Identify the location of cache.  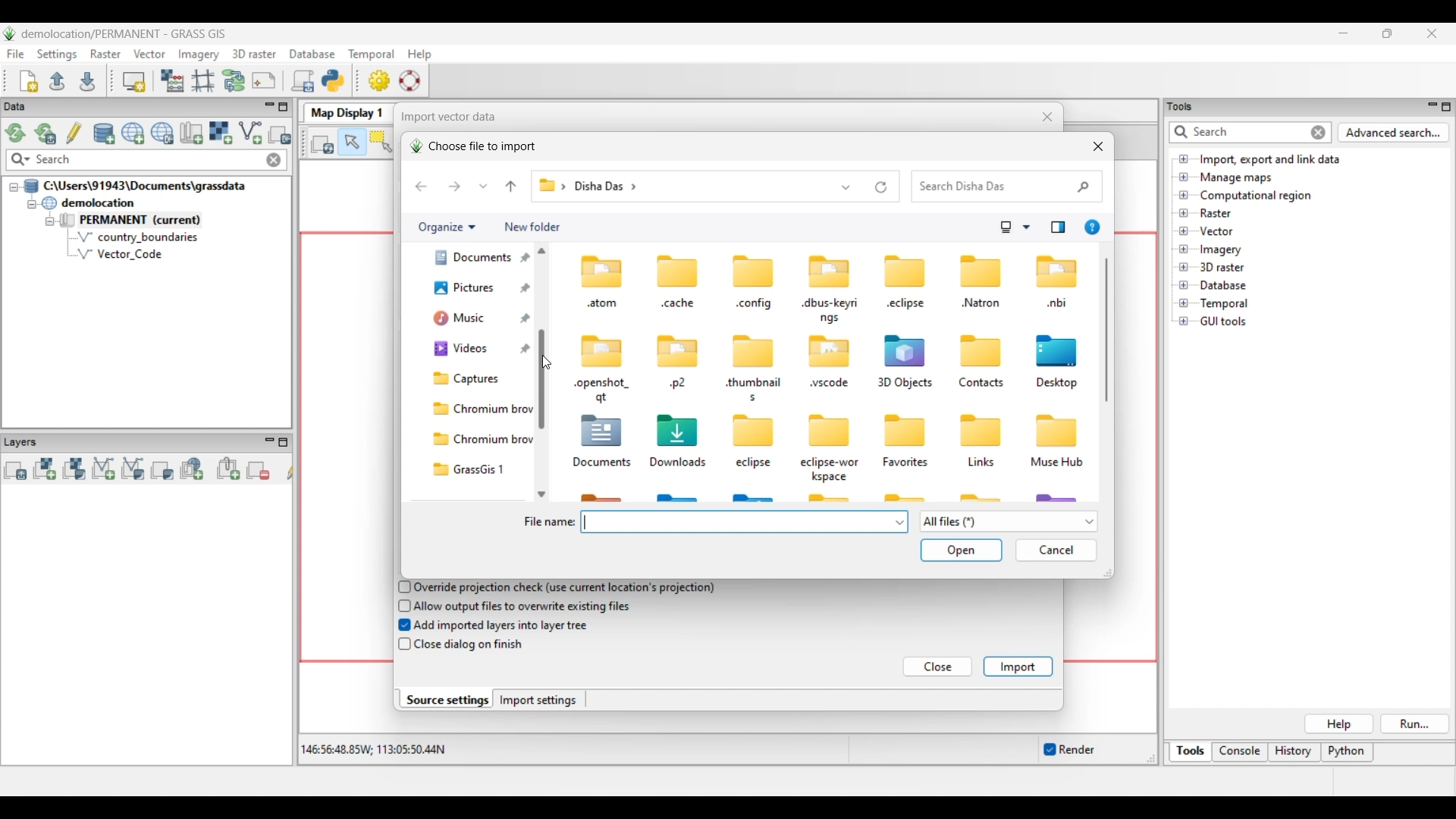
(678, 303).